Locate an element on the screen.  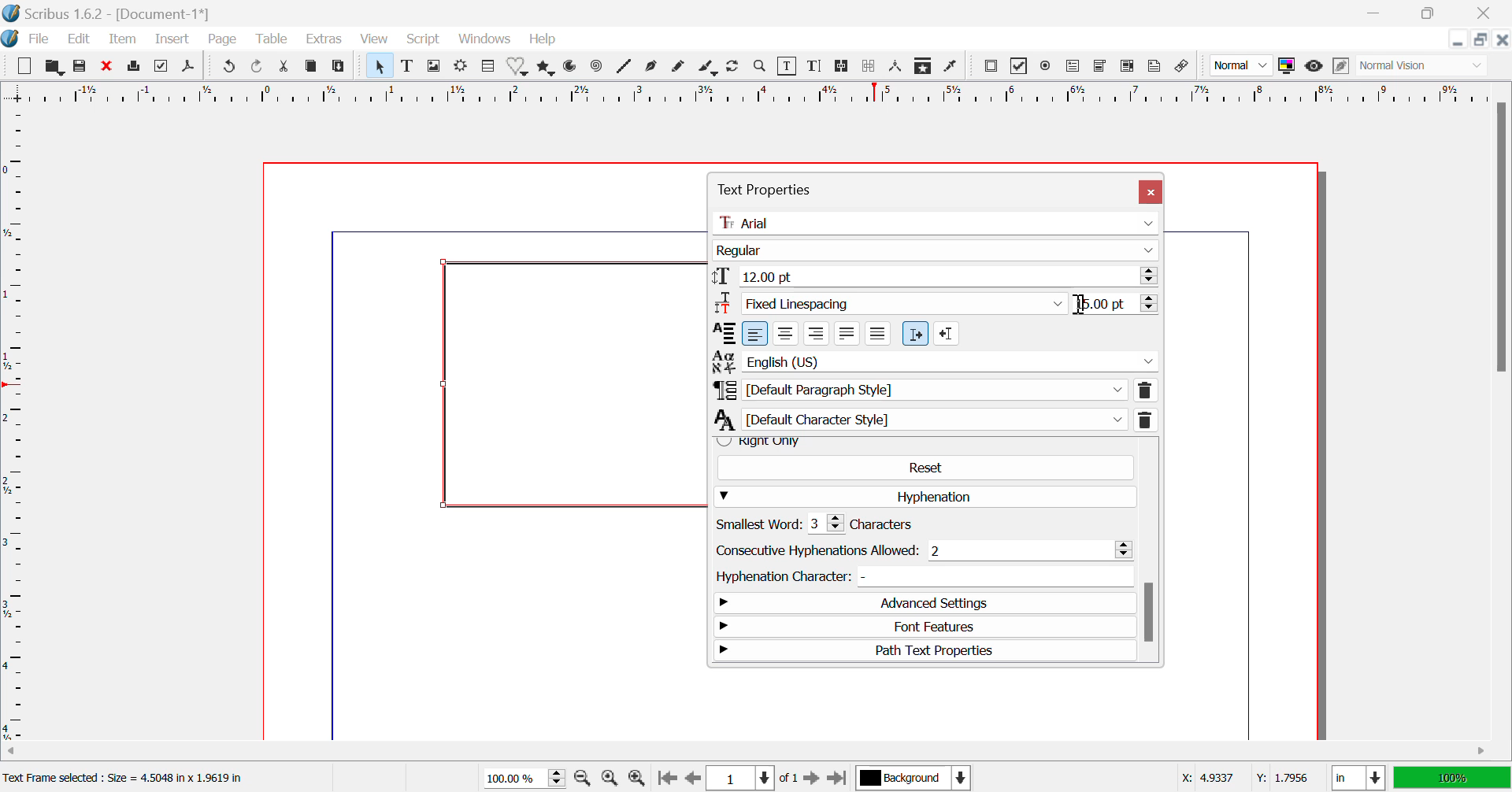
Restore Down is located at coordinates (1460, 40).